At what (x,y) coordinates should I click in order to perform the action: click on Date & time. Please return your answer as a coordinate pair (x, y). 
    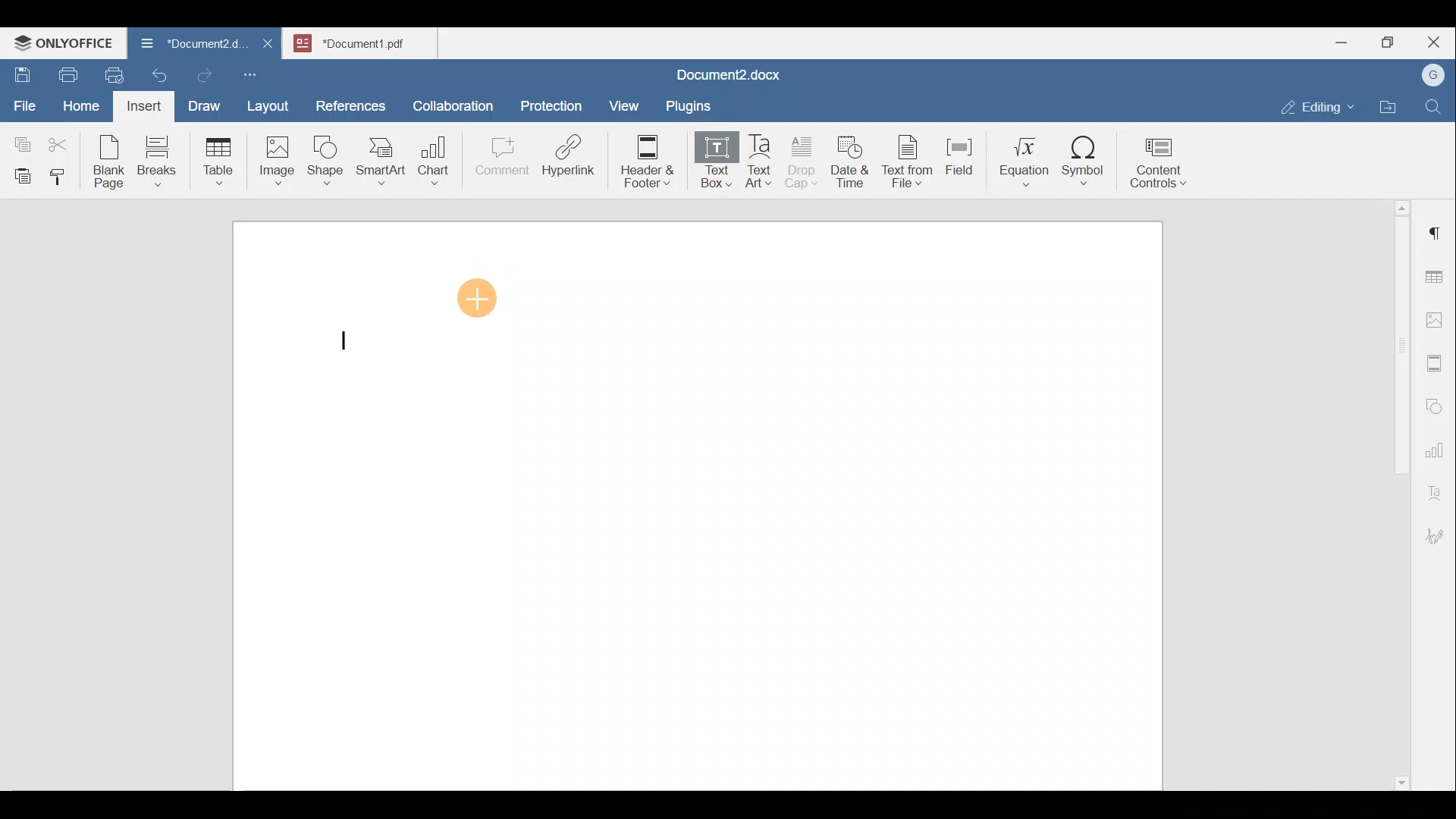
    Looking at the image, I should click on (851, 159).